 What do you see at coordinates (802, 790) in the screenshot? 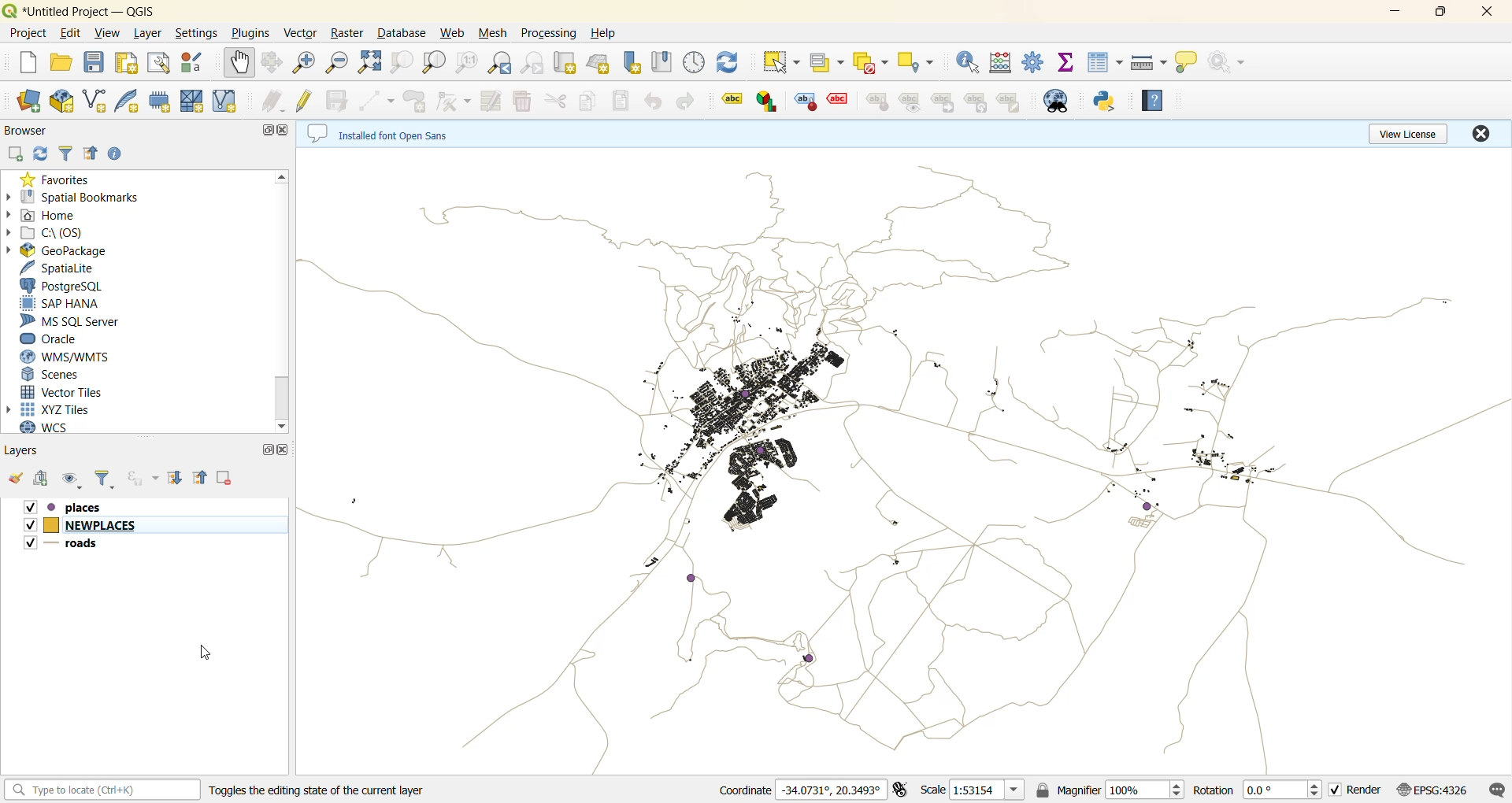
I see `coordinates` at bounding box center [802, 790].